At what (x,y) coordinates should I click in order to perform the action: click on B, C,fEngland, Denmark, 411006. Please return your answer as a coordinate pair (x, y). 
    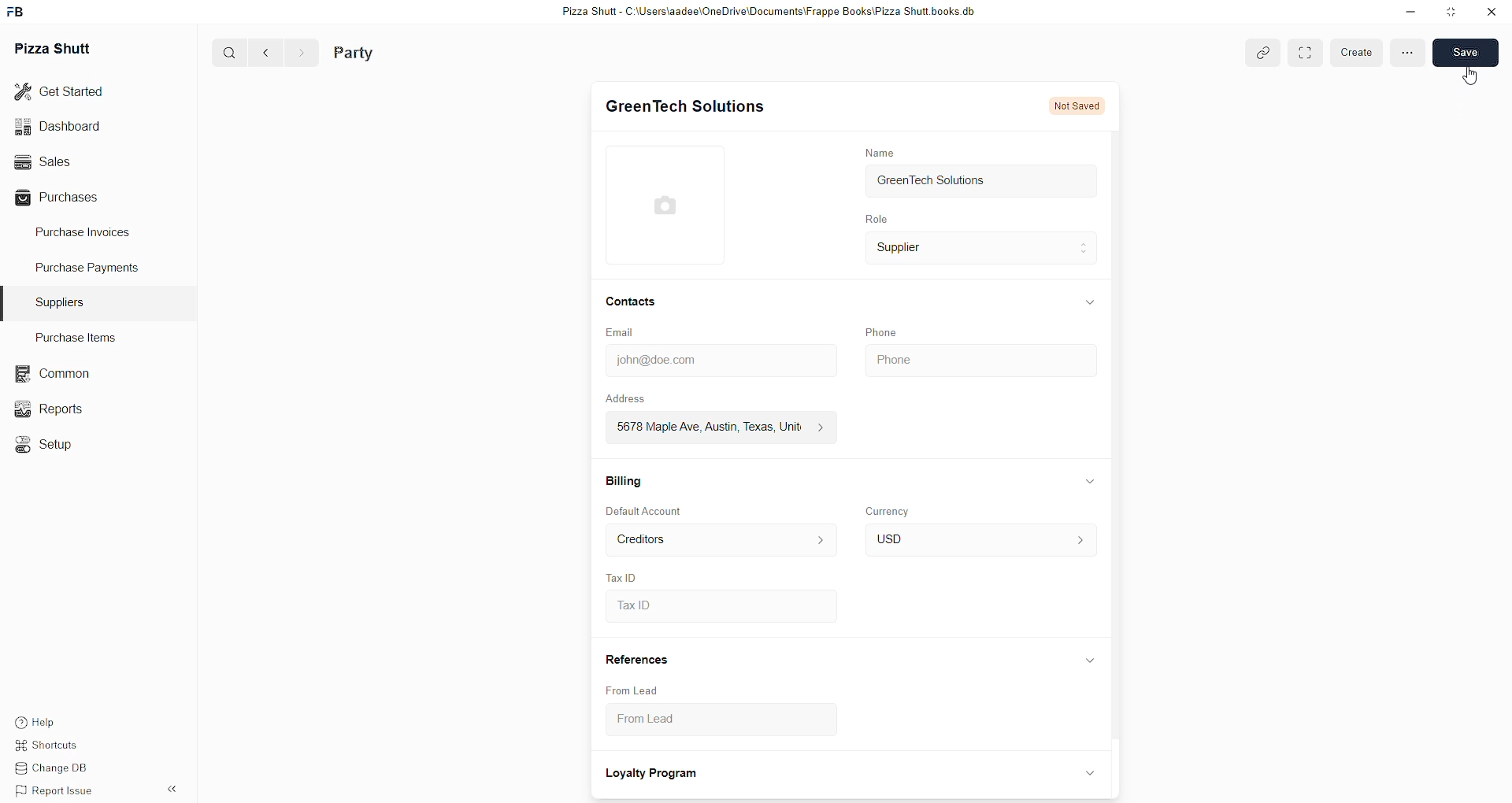
    Looking at the image, I should click on (716, 427).